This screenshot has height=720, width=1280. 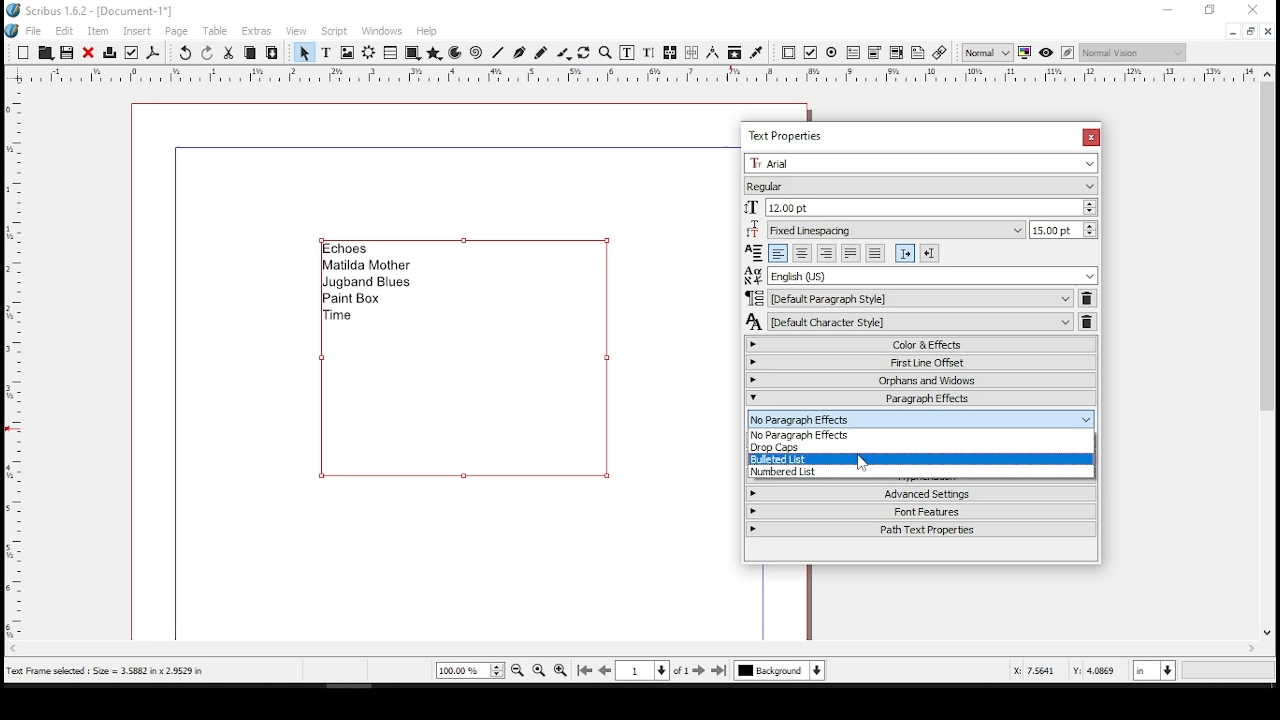 What do you see at coordinates (65, 30) in the screenshot?
I see `edit` at bounding box center [65, 30].